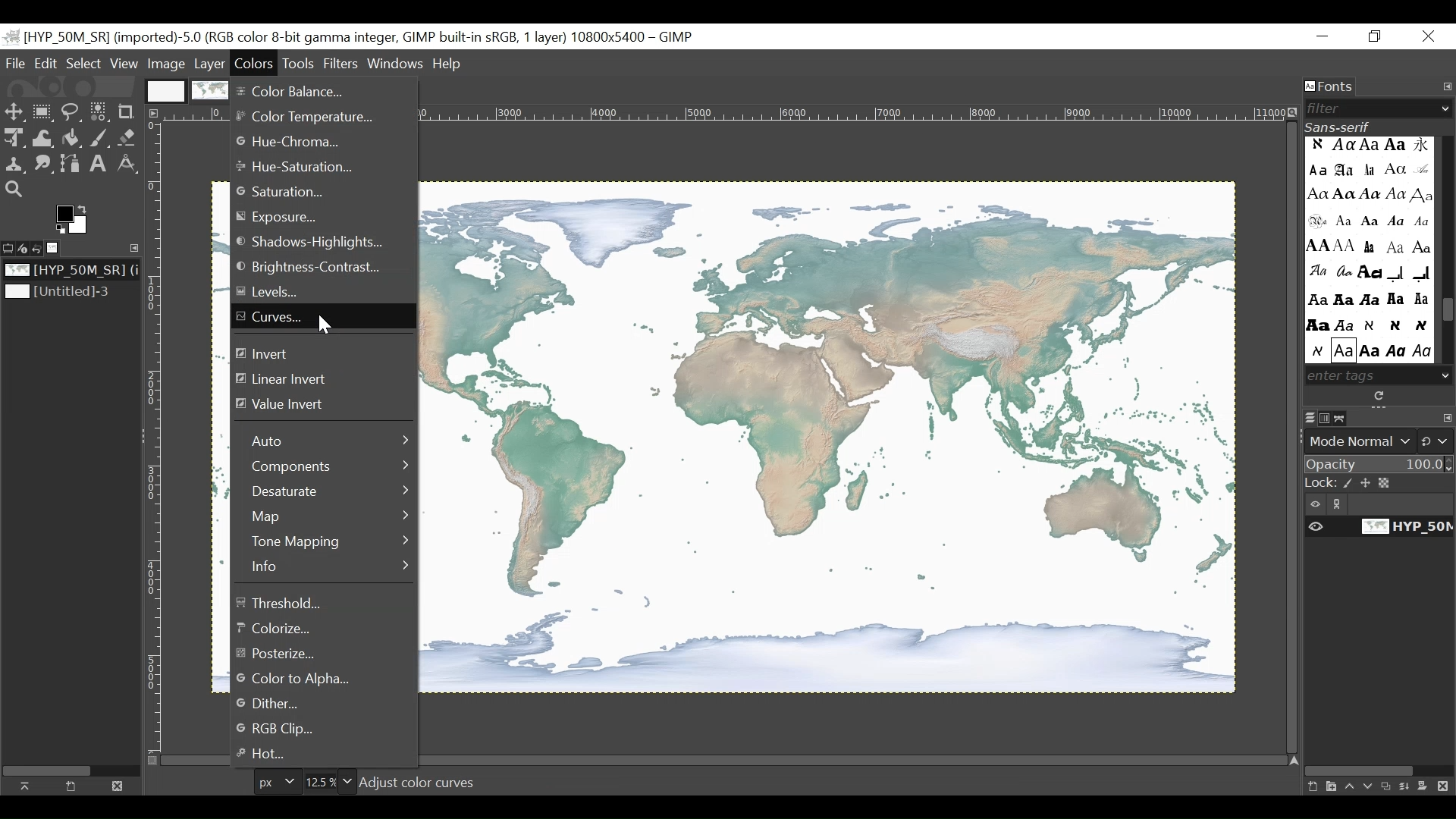 The height and width of the screenshot is (819, 1456). I want to click on Mode Normal, so click(1381, 441).